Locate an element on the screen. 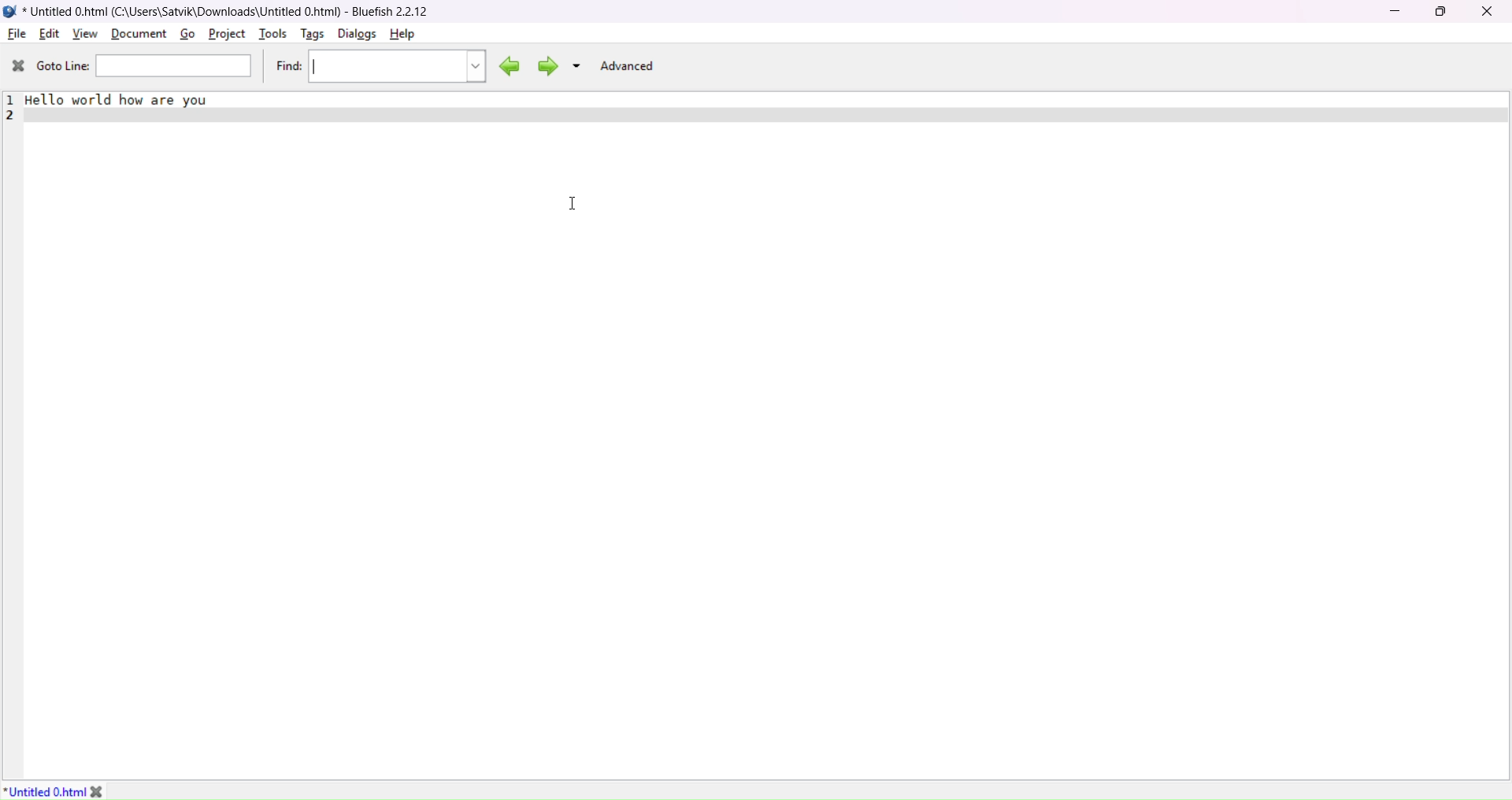 This screenshot has width=1512, height=800. line number is located at coordinates (12, 106).